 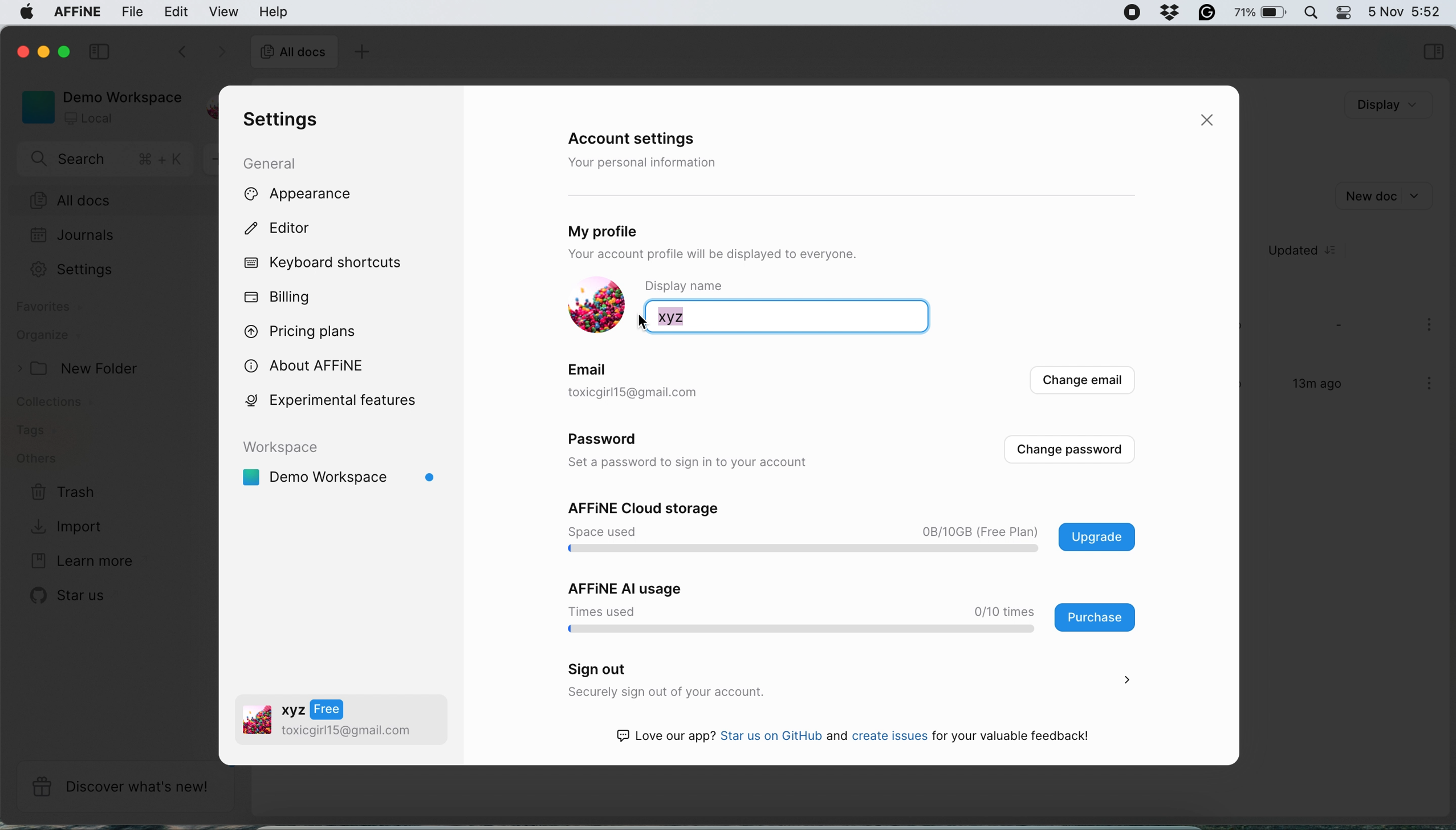 What do you see at coordinates (35, 431) in the screenshot?
I see `tags` at bounding box center [35, 431].